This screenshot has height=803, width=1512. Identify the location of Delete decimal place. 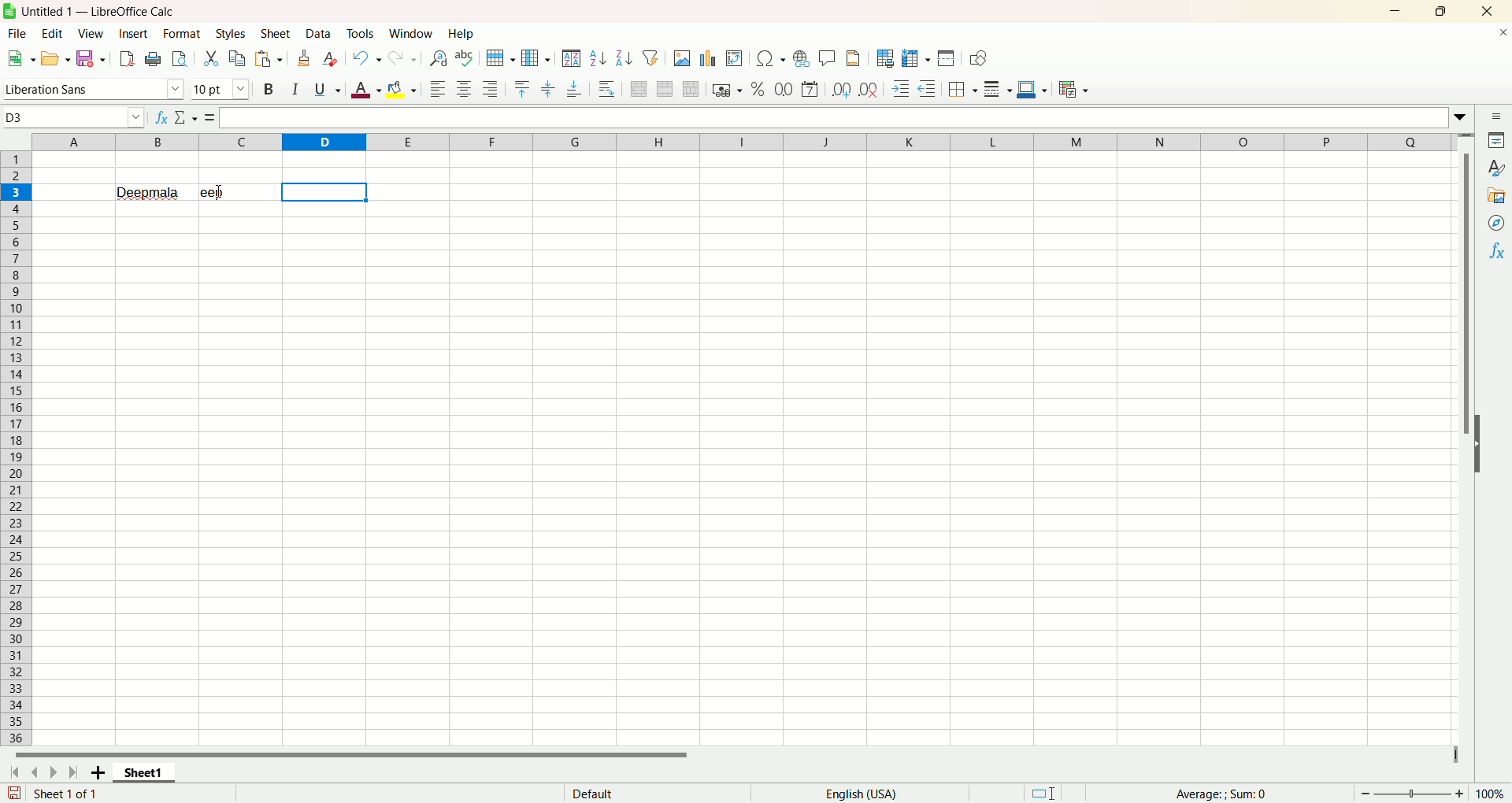
(869, 89).